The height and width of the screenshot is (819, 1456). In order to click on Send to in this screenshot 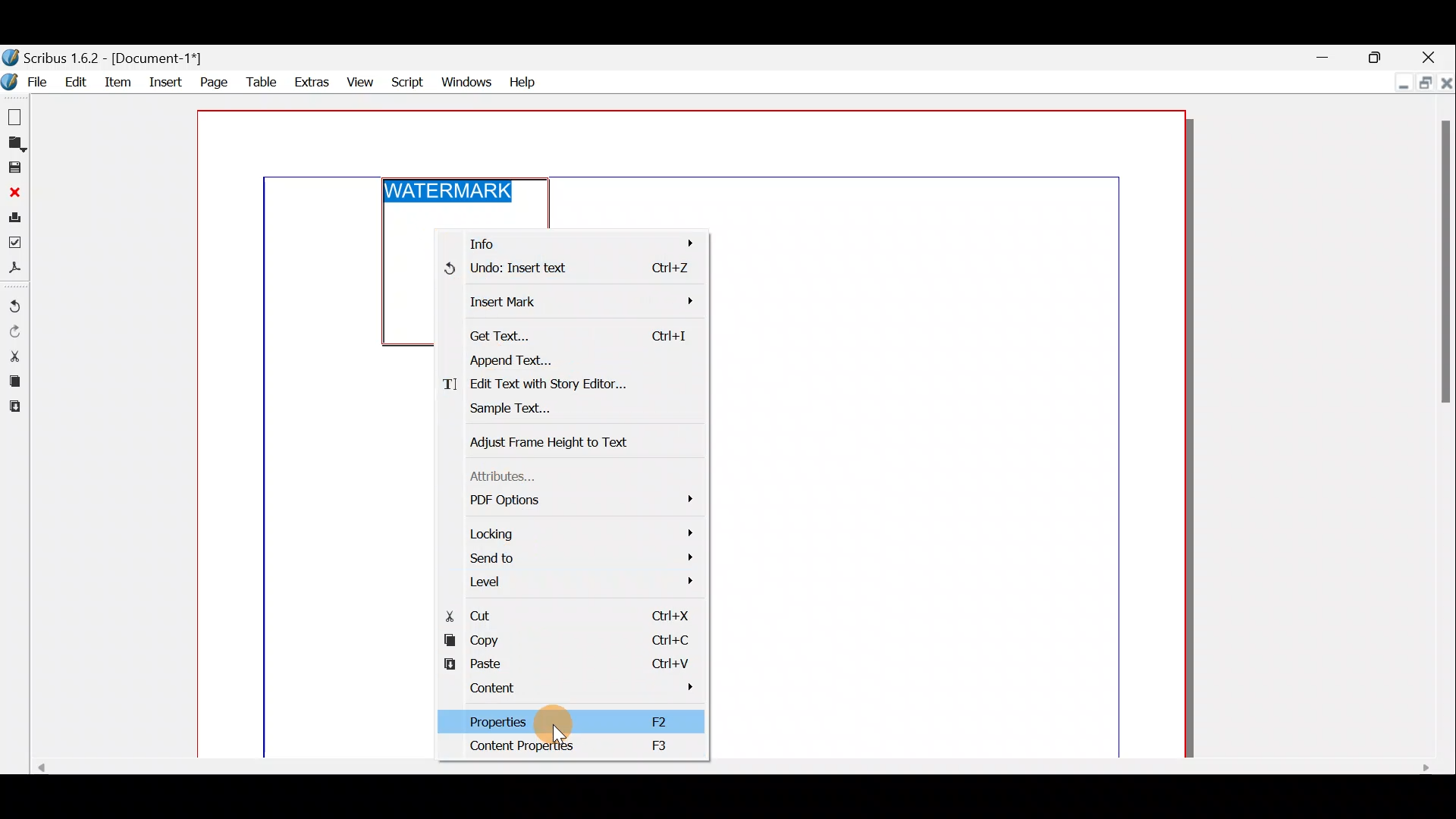, I will do `click(573, 557)`.